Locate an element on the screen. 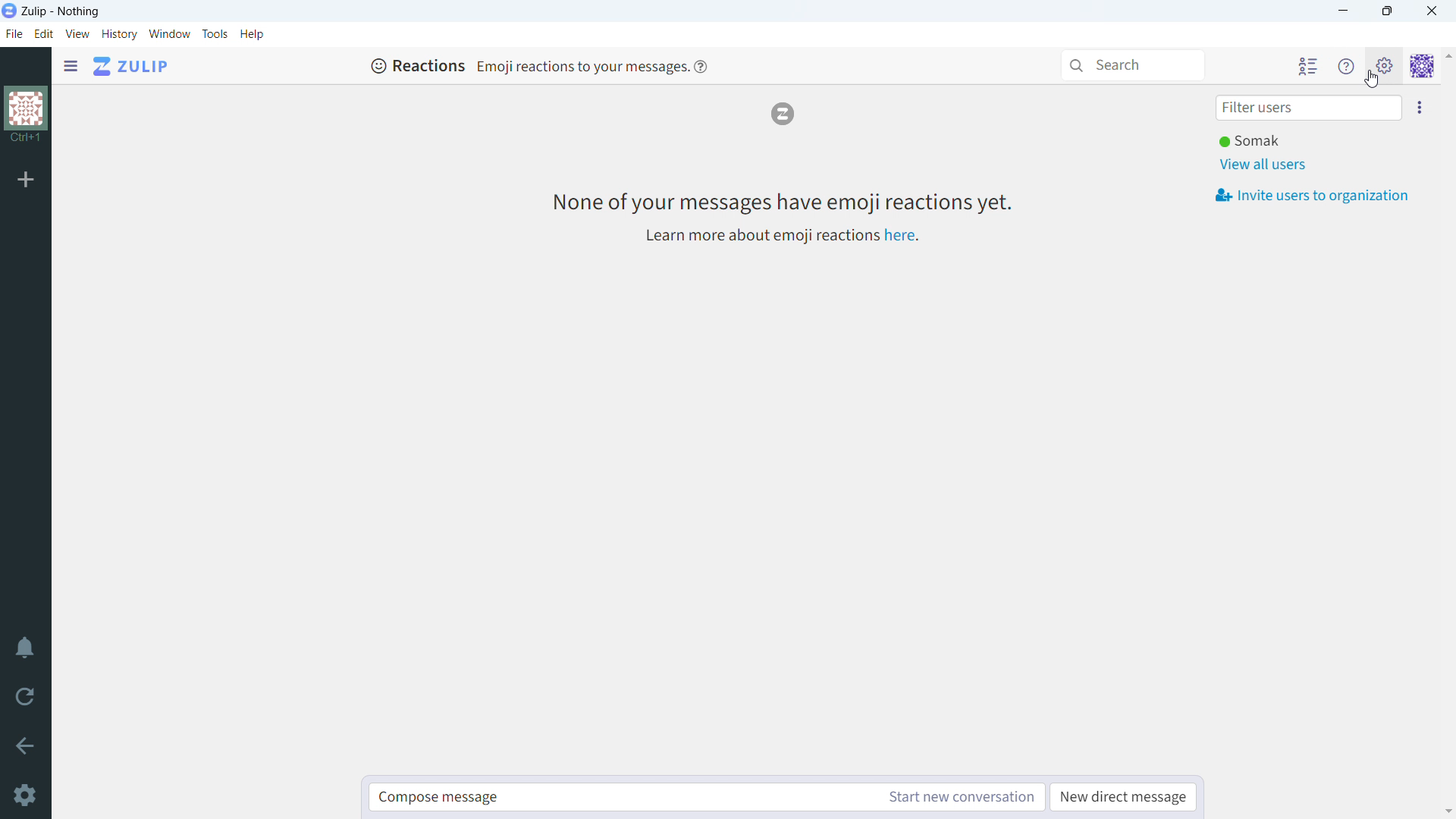  add organization is located at coordinates (27, 180).